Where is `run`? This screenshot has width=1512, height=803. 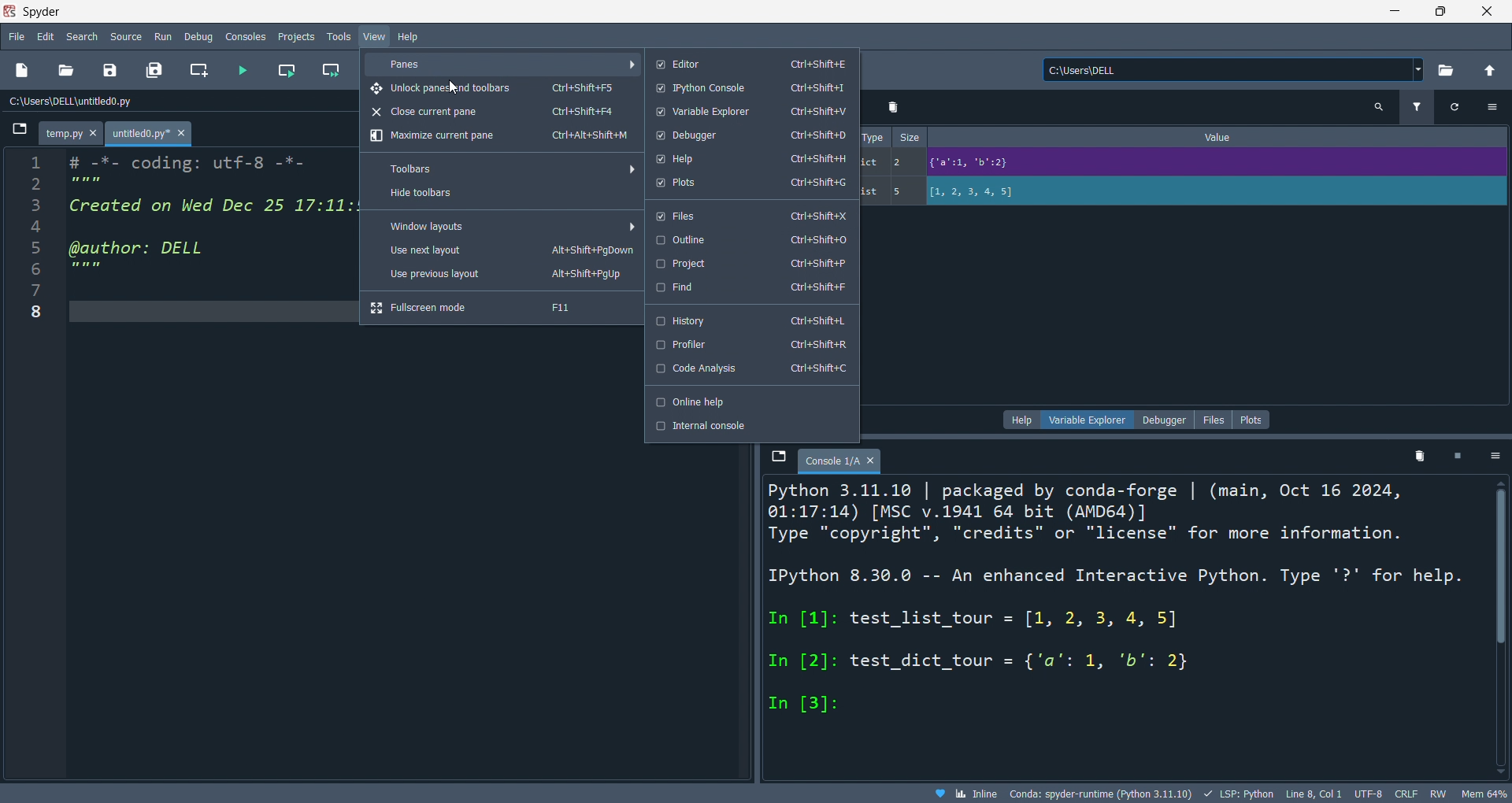
run is located at coordinates (165, 37).